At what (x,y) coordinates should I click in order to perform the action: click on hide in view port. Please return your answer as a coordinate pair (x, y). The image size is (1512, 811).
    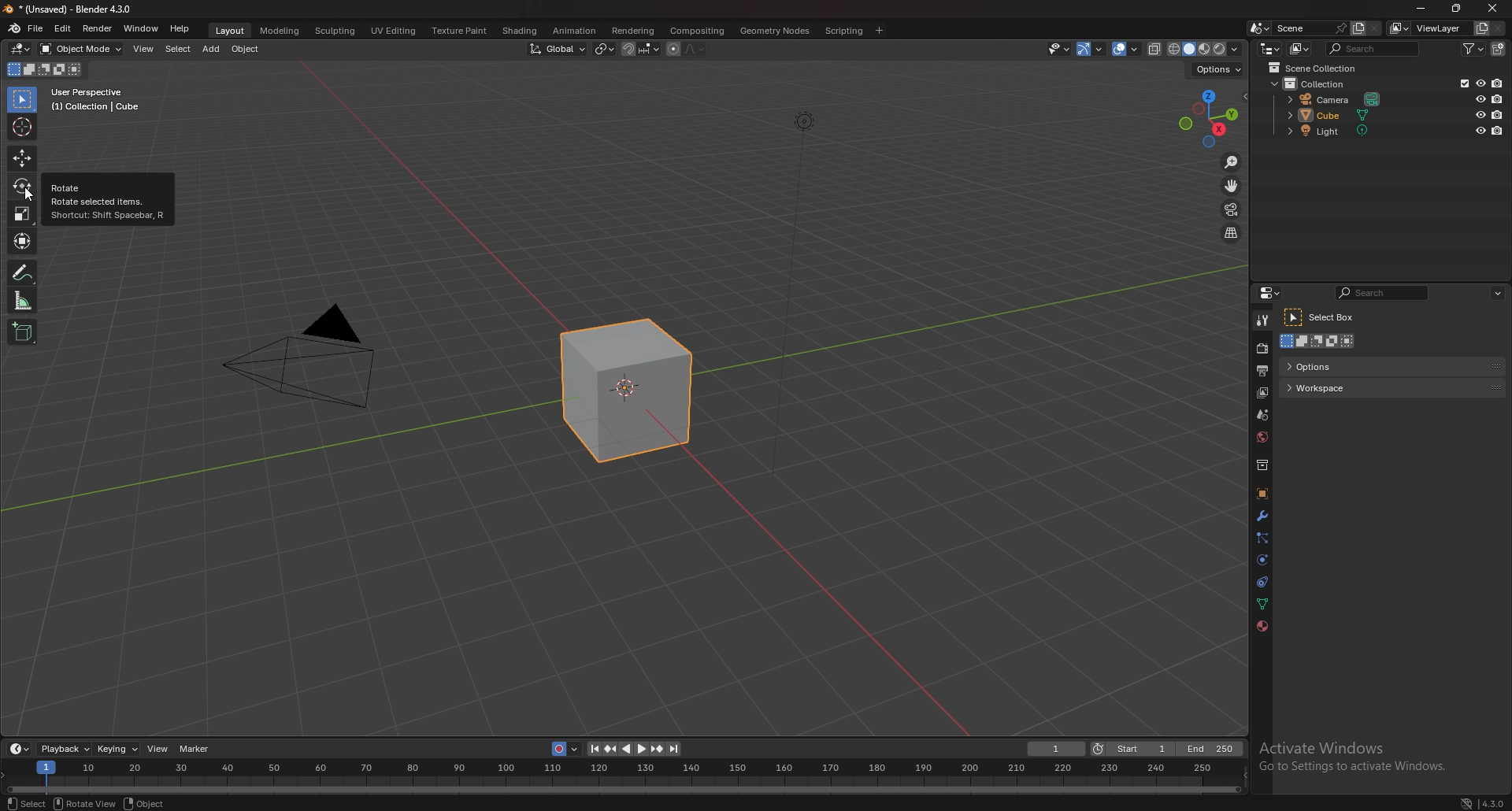
    Looking at the image, I should click on (1480, 130).